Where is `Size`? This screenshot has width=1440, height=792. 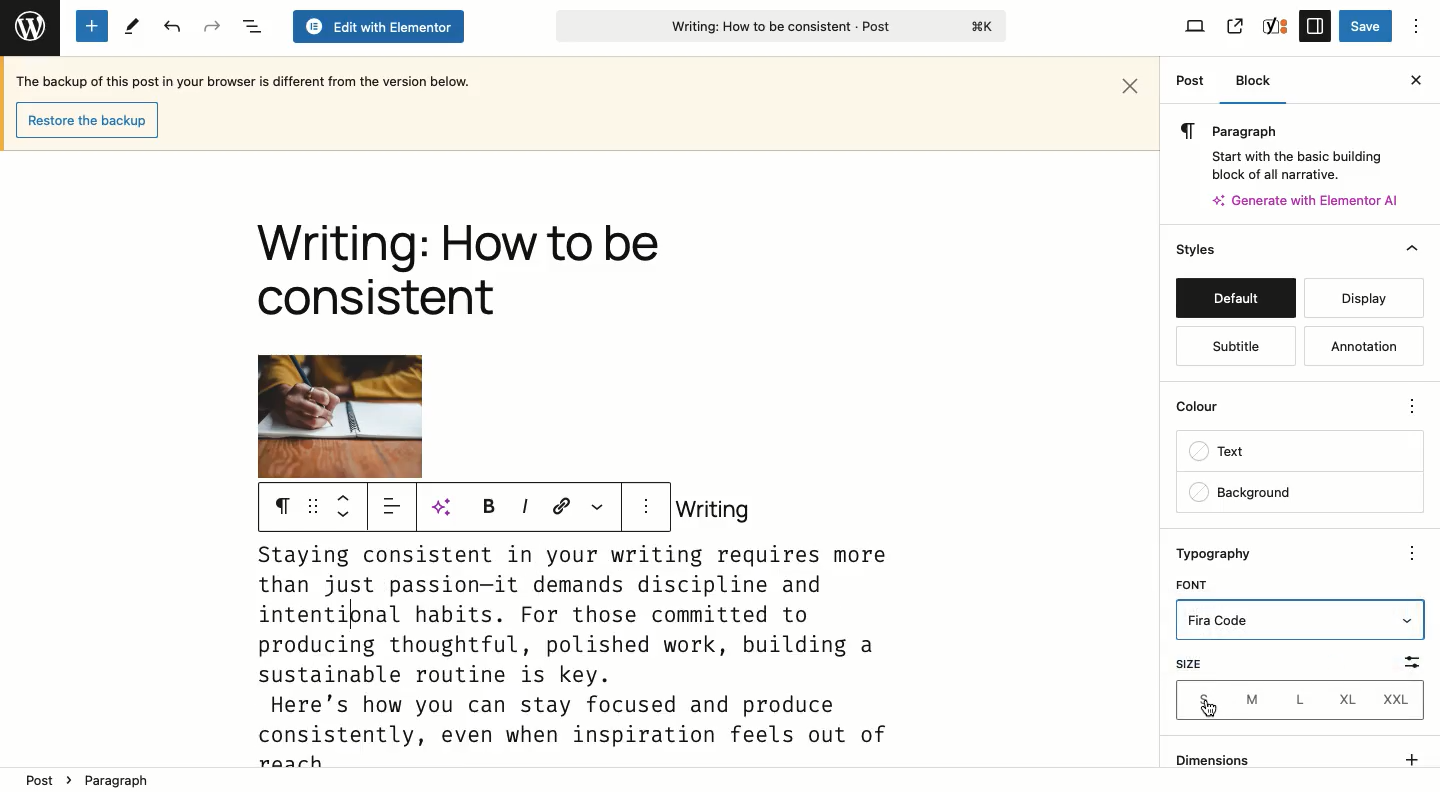
Size is located at coordinates (1214, 664).